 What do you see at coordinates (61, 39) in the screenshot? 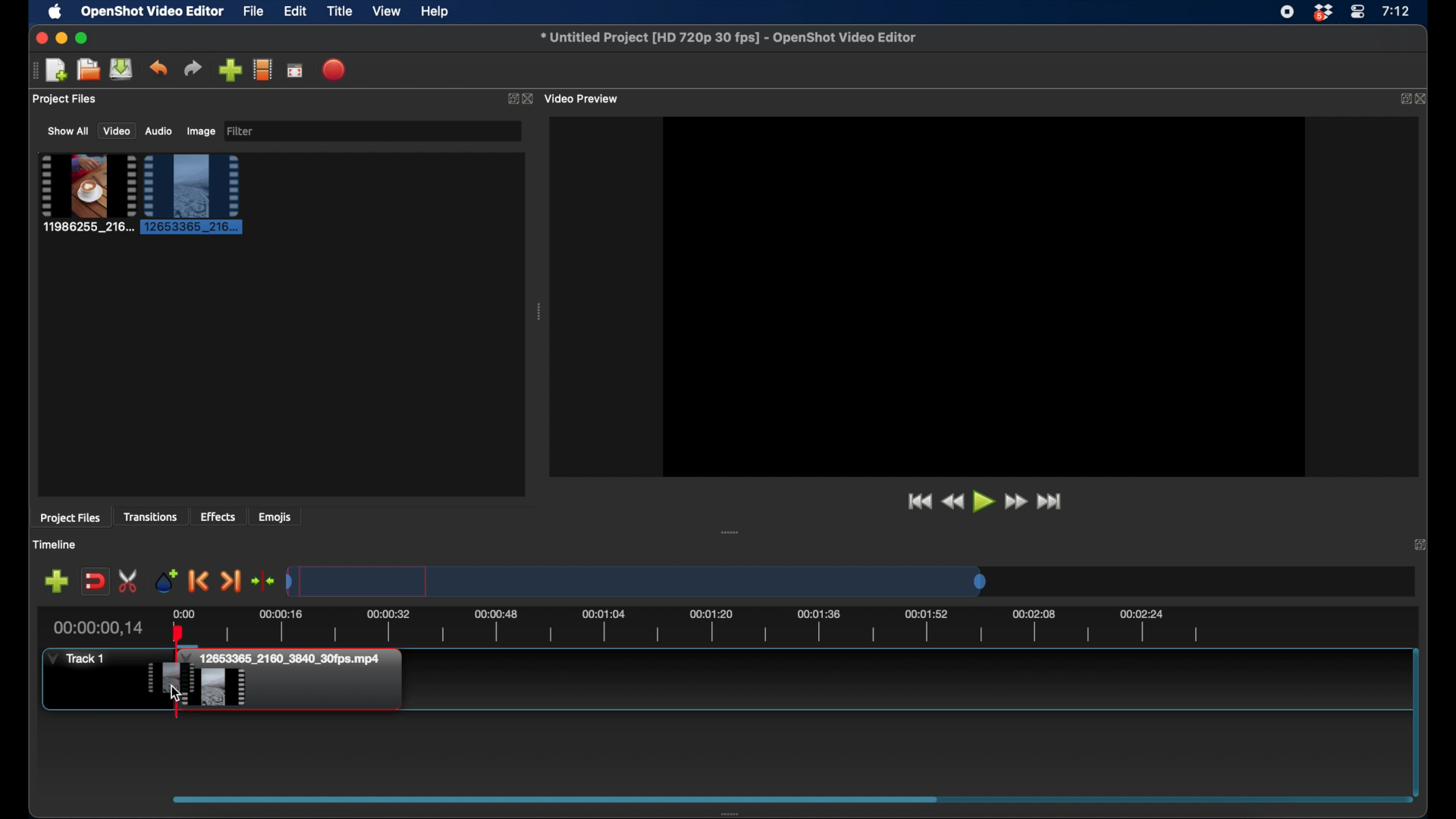
I see `minimize` at bounding box center [61, 39].